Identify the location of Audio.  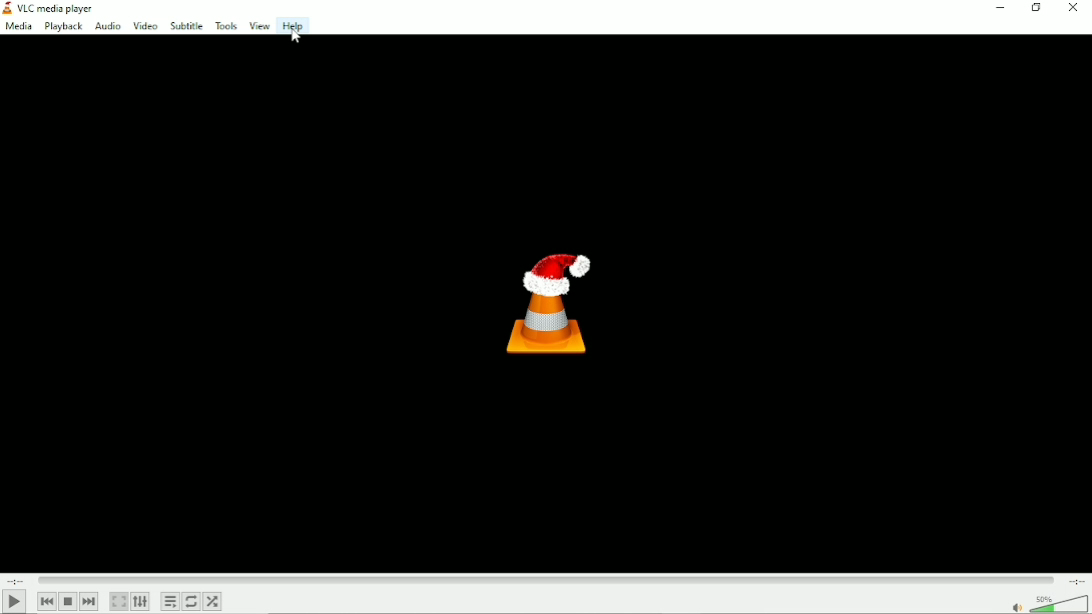
(108, 27).